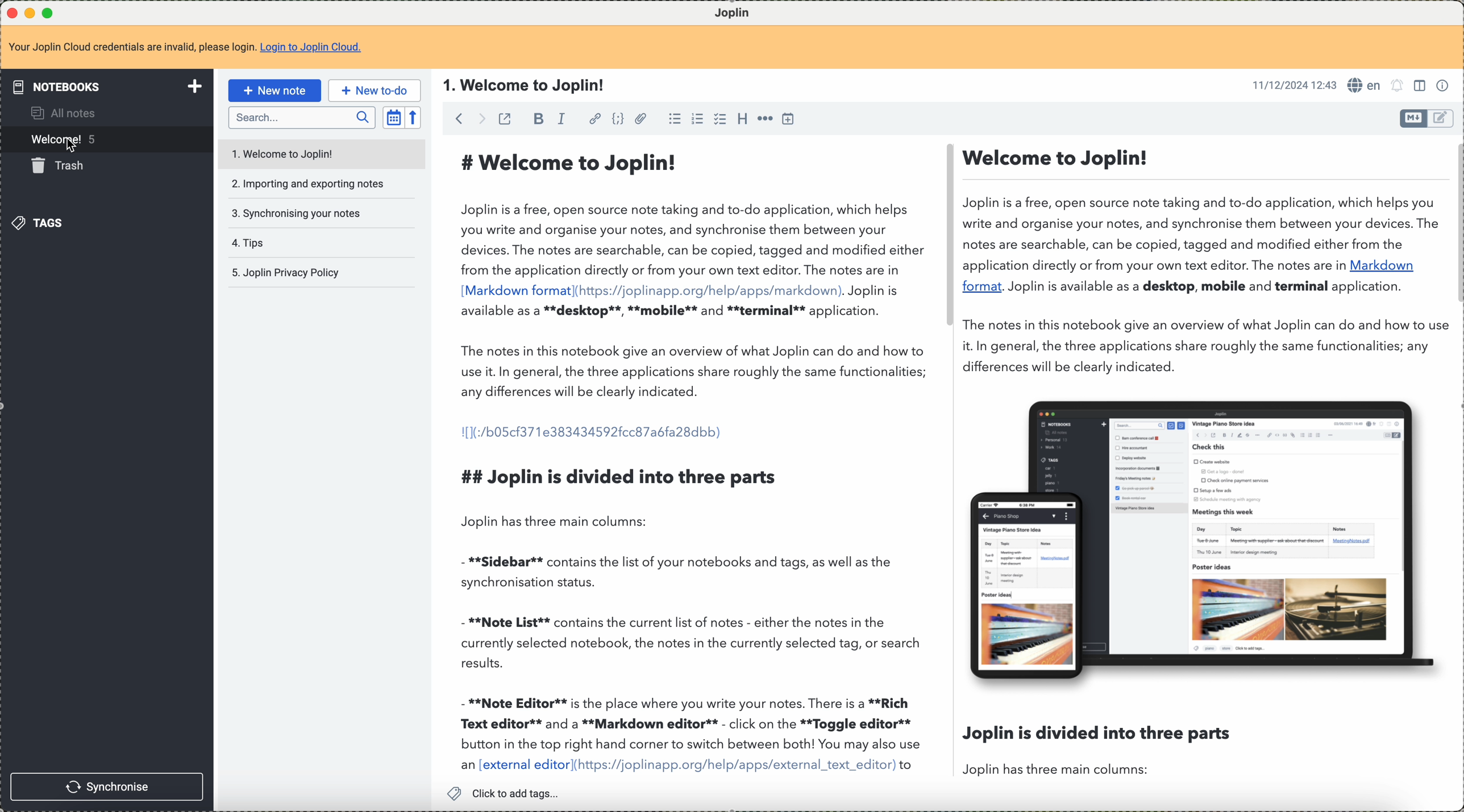  I want to click on navigate back note, so click(461, 118).